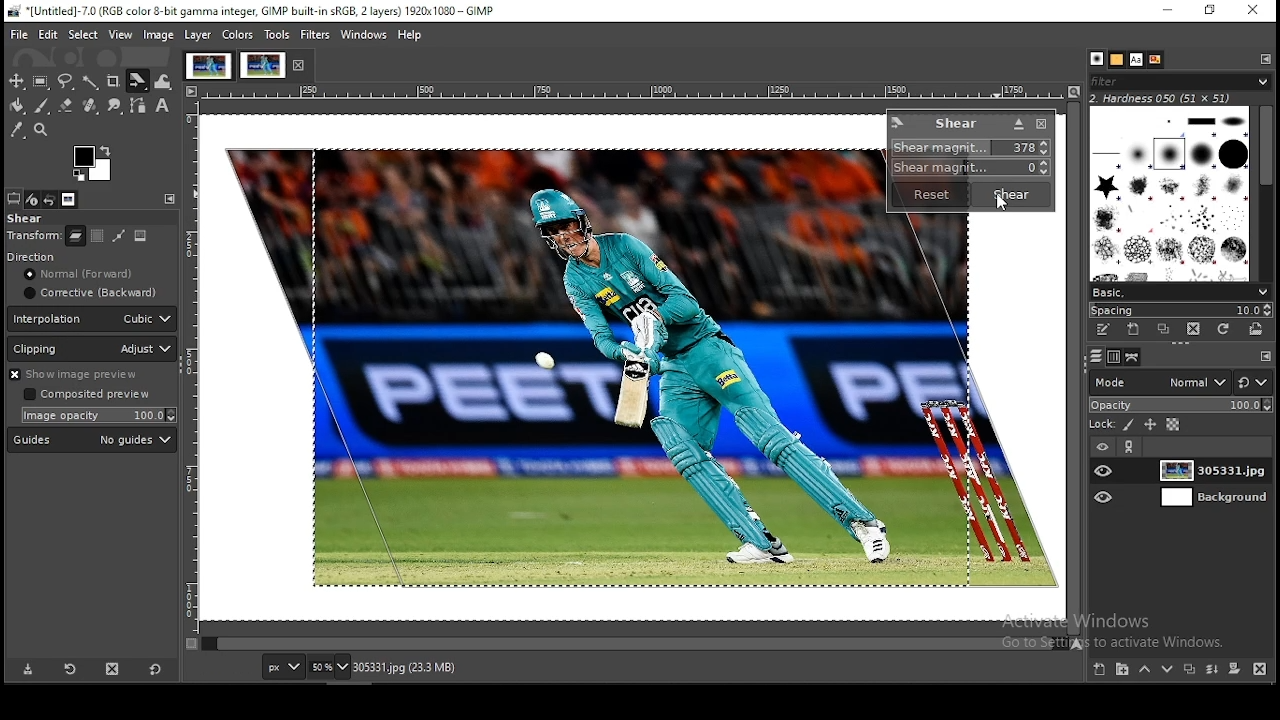 The image size is (1280, 720). I want to click on filter, so click(1181, 81).